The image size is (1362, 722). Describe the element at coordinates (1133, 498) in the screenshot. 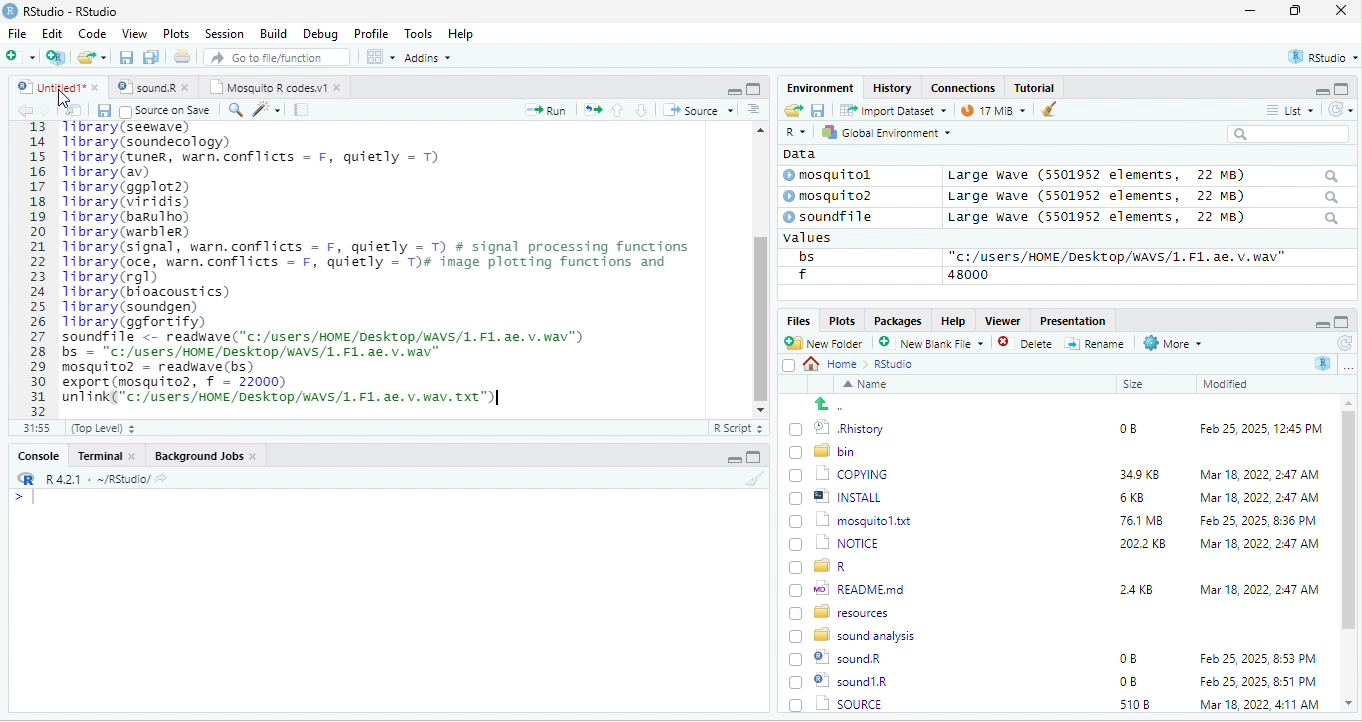

I see `6KB` at that location.